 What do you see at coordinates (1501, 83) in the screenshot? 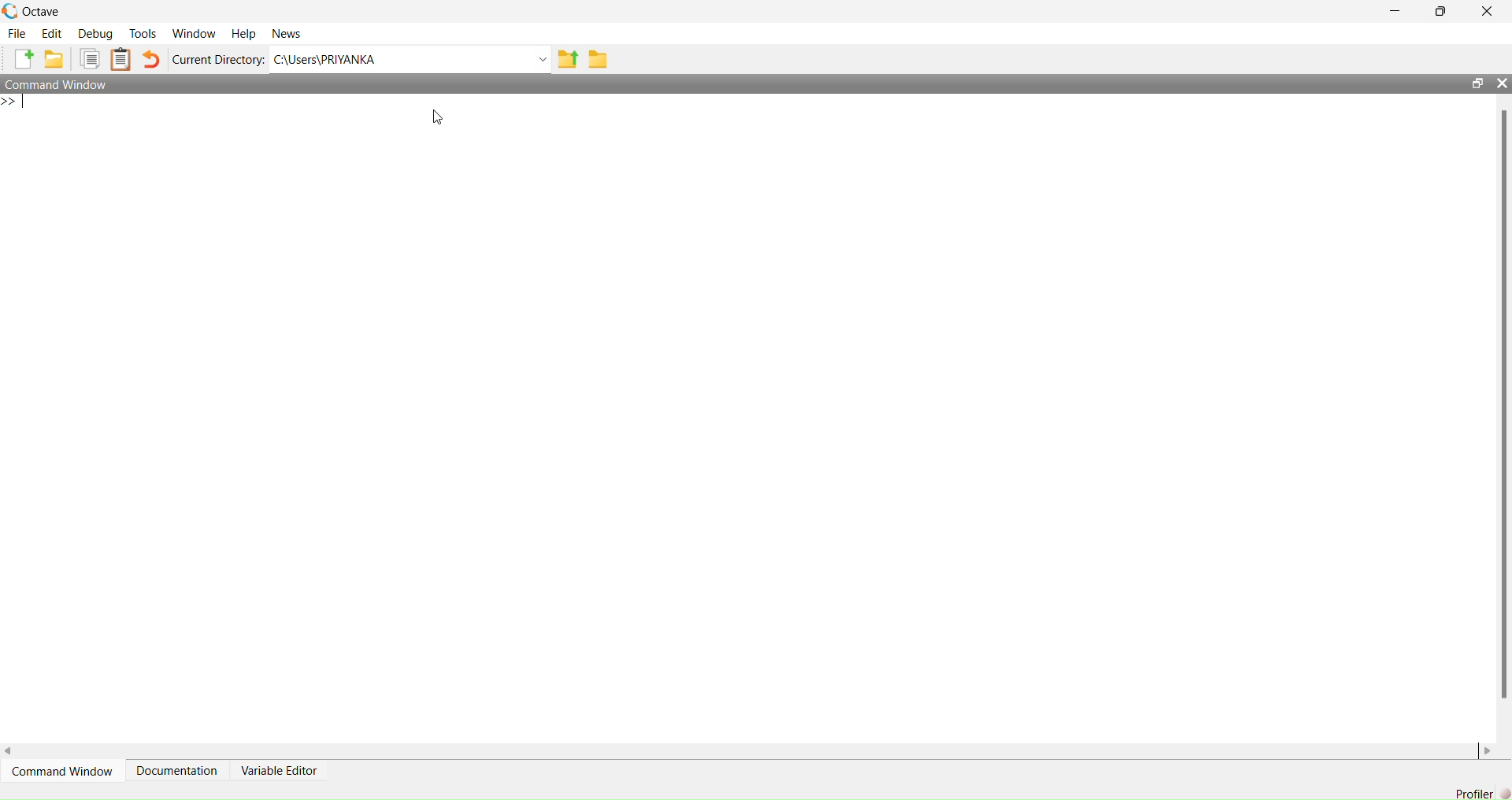
I see `close` at bounding box center [1501, 83].